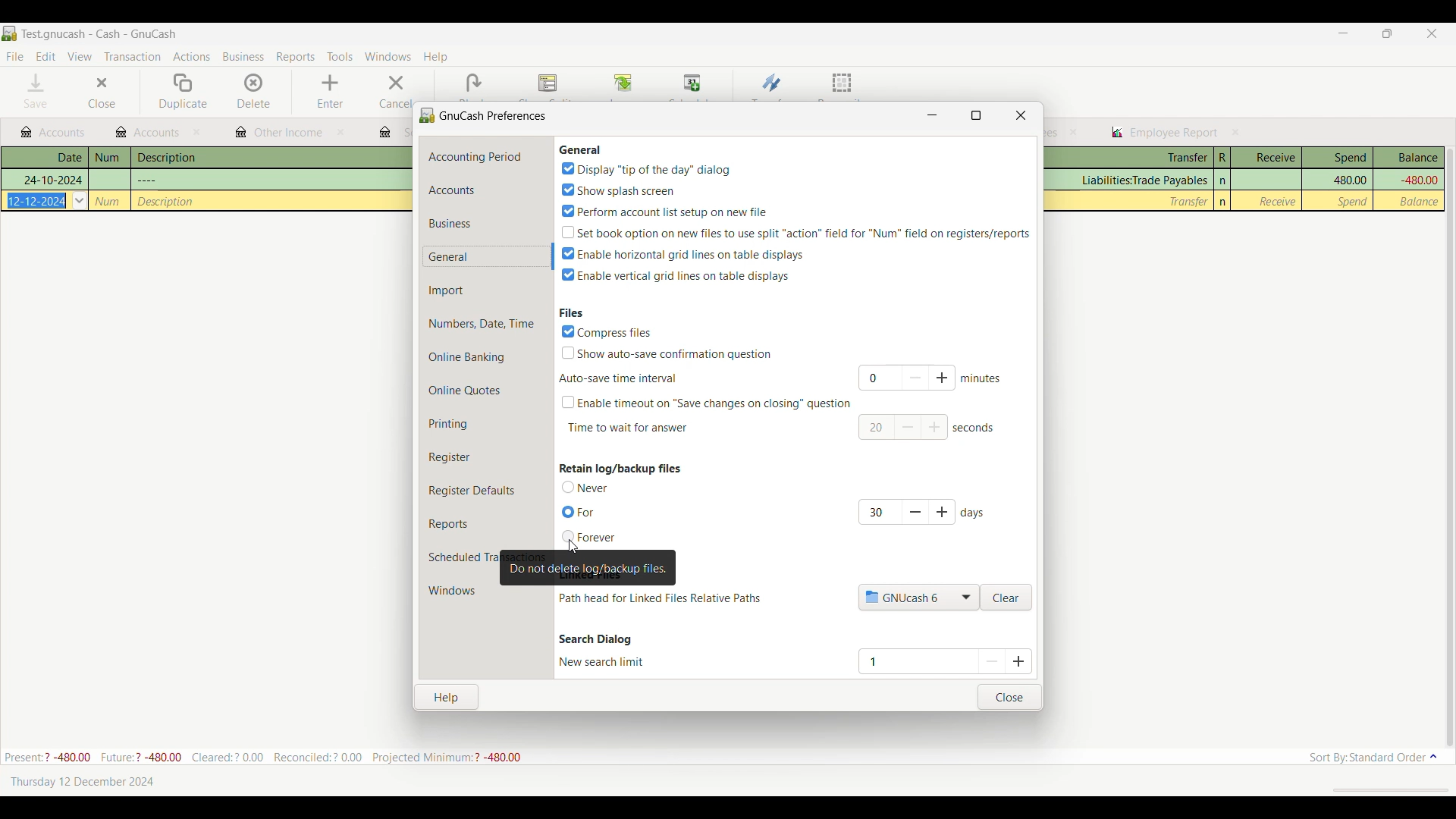 The height and width of the screenshot is (819, 1456). What do you see at coordinates (485, 424) in the screenshot?
I see `Printing` at bounding box center [485, 424].